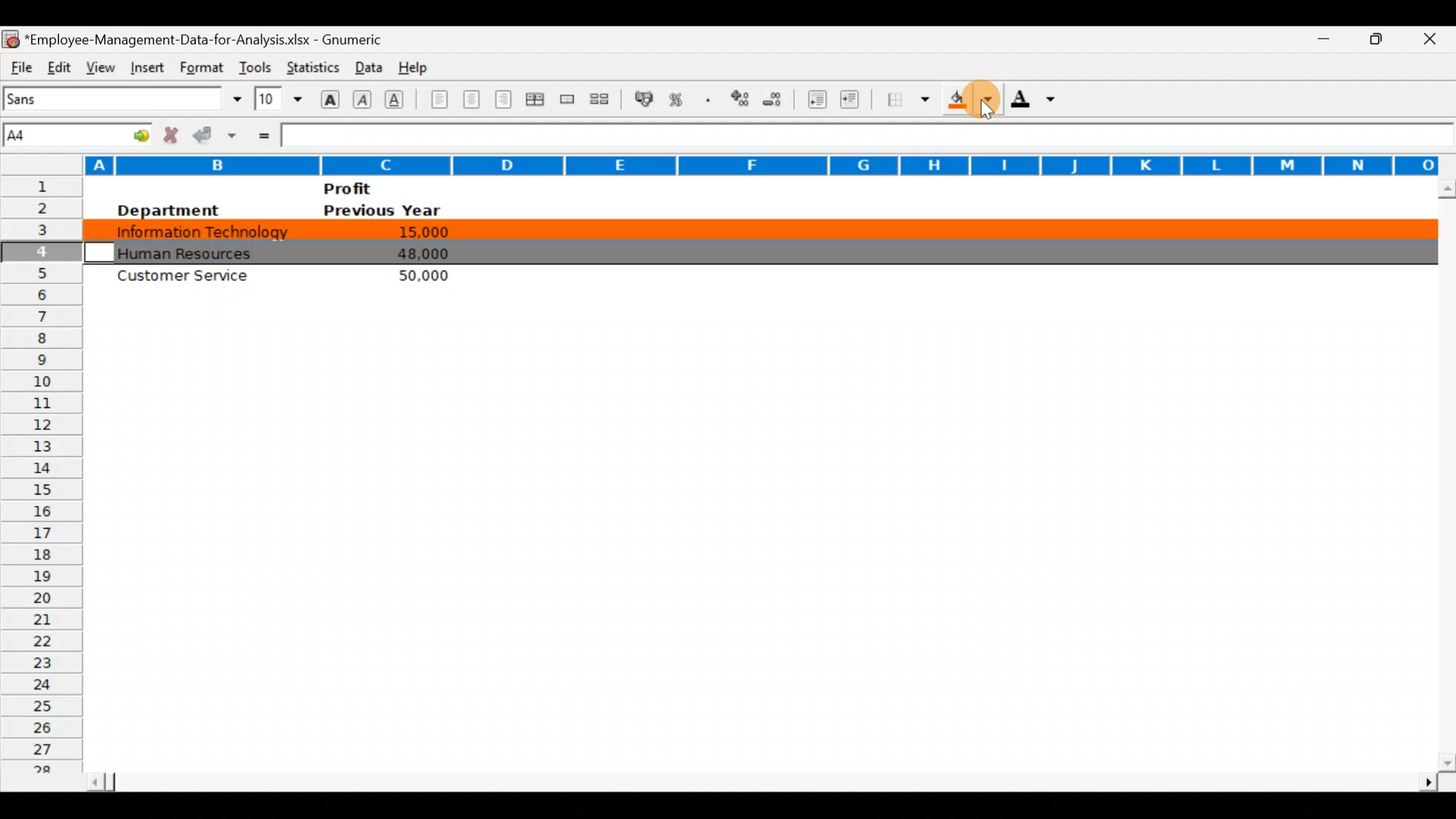 The width and height of the screenshot is (1456, 819). I want to click on Italic, so click(362, 101).